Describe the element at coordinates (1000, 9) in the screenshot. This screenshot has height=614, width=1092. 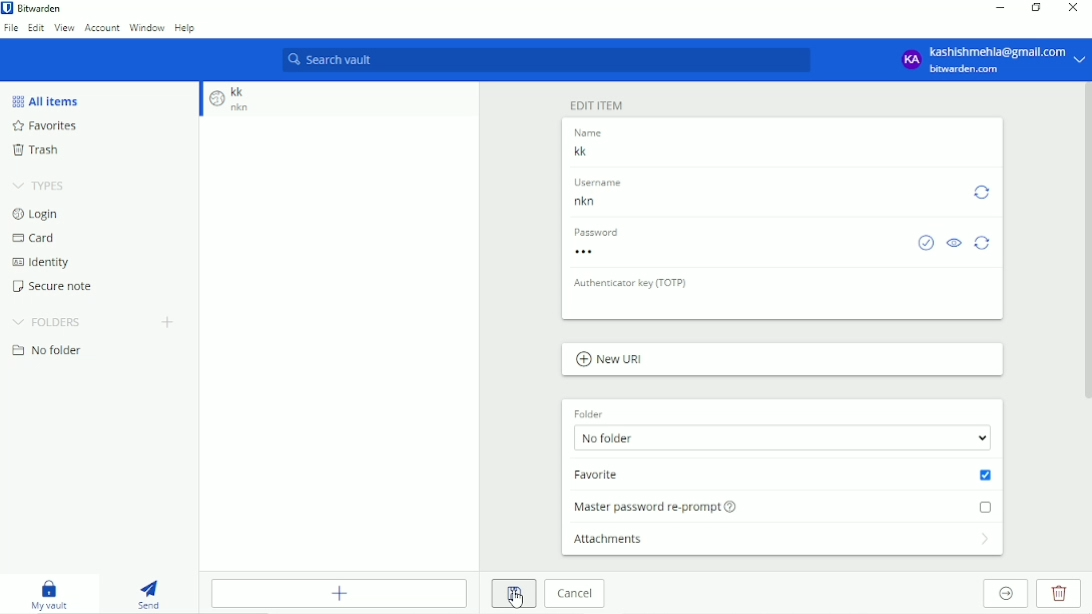
I see `Minimize` at that location.